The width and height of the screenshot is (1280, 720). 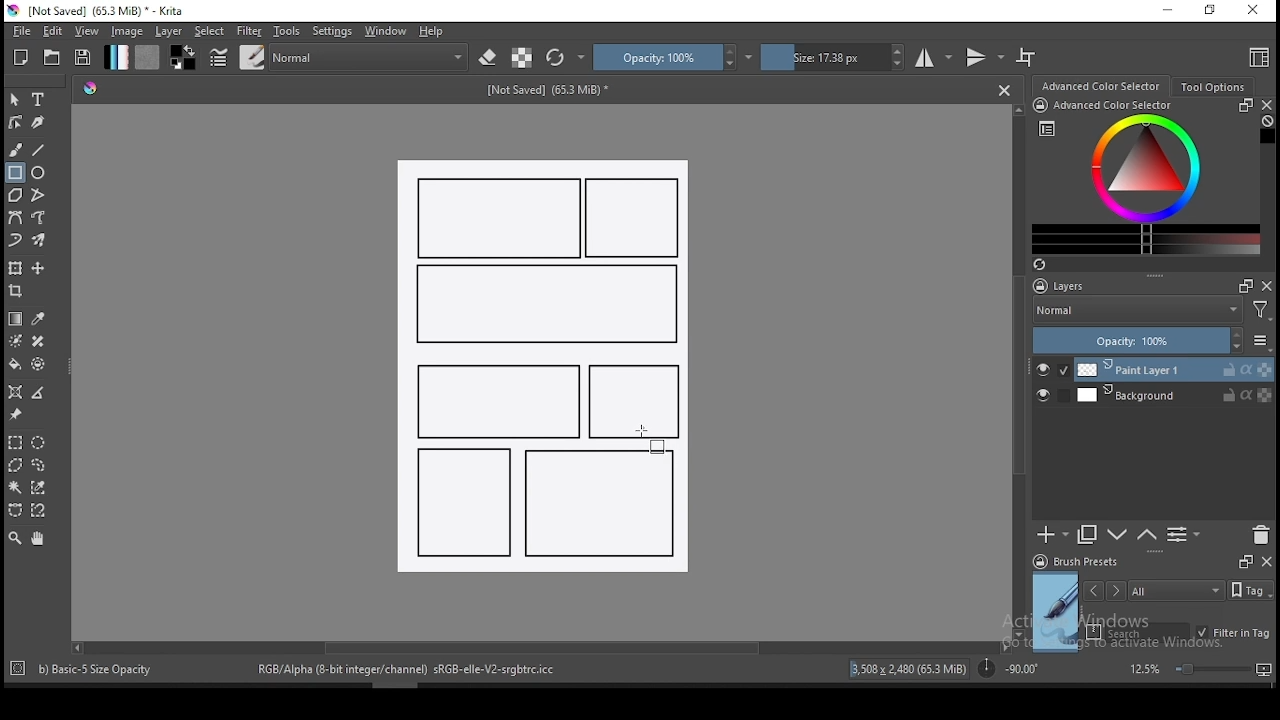 What do you see at coordinates (16, 465) in the screenshot?
I see `polygon selection tool` at bounding box center [16, 465].